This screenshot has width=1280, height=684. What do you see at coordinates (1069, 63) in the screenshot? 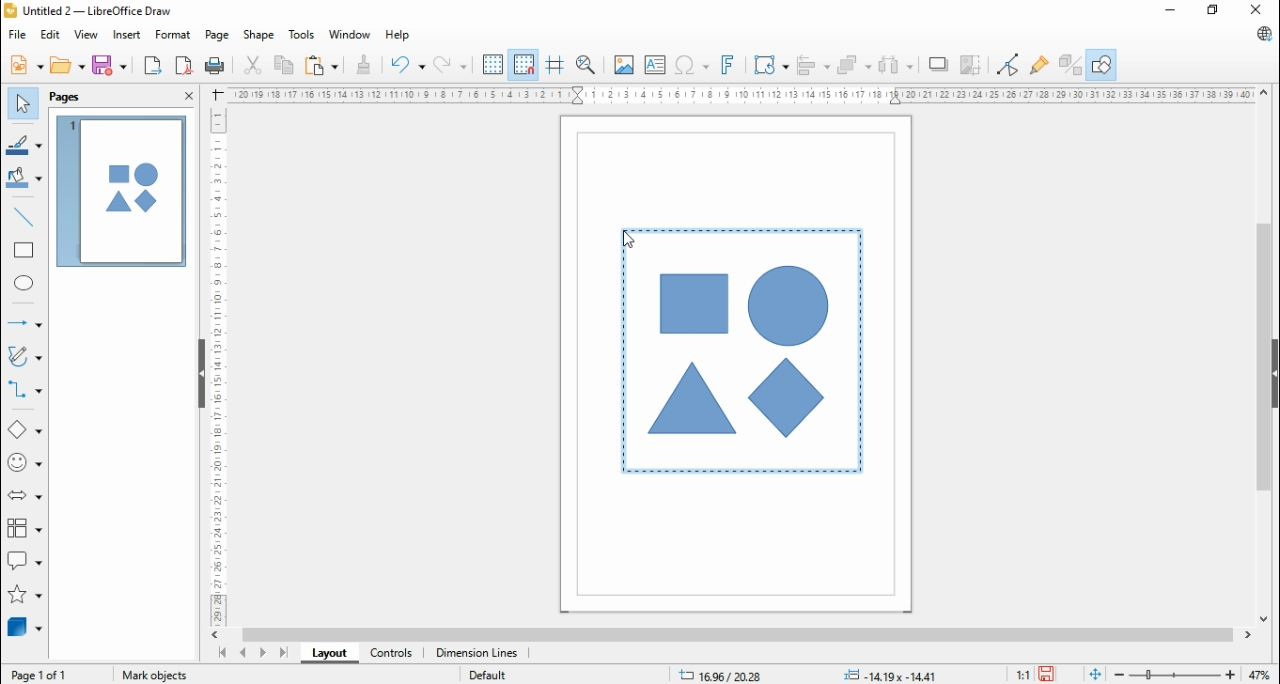
I see `toggle extrusions` at bounding box center [1069, 63].